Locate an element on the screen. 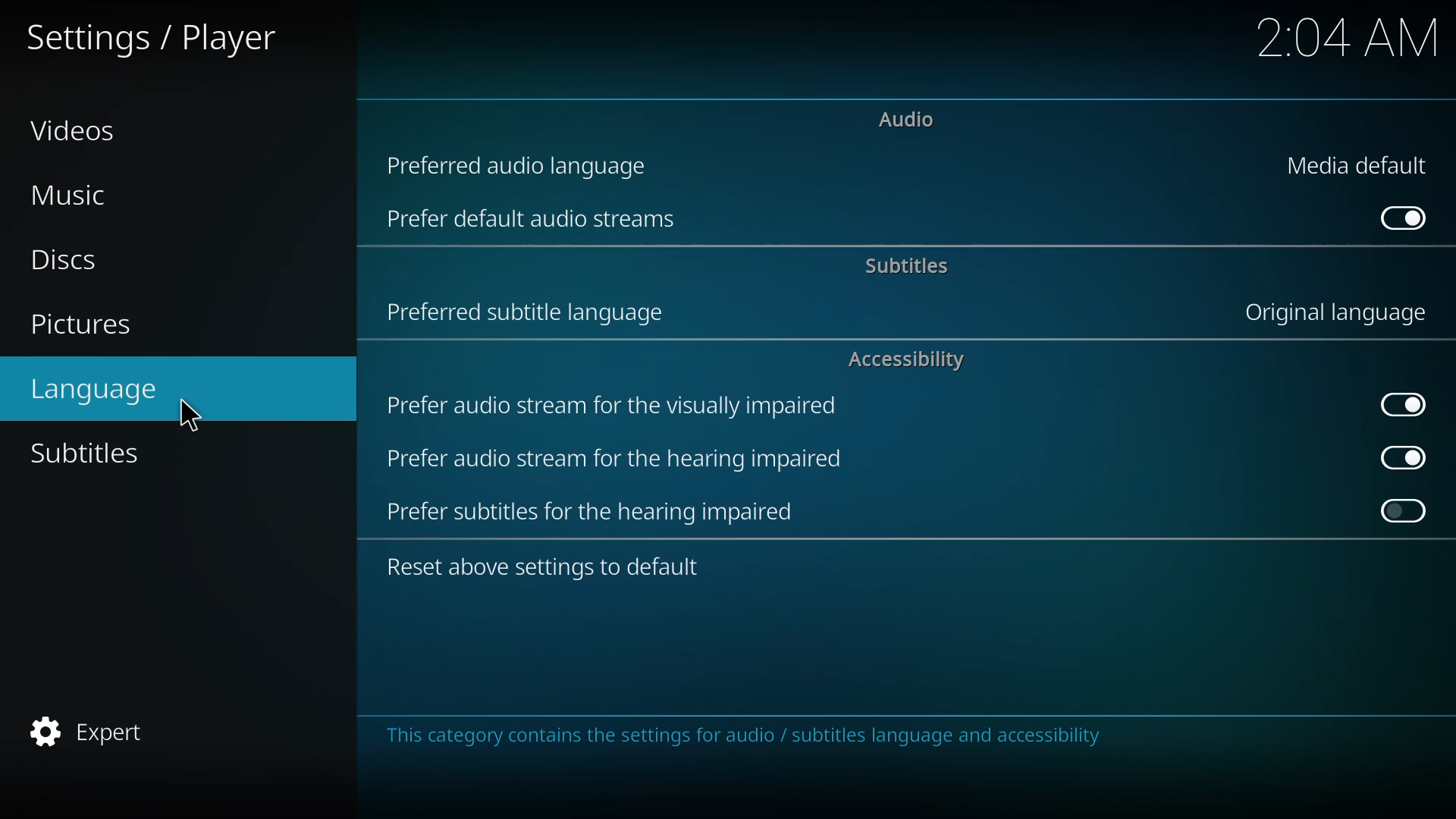 This screenshot has height=819, width=1456. accessibility is located at coordinates (903, 360).